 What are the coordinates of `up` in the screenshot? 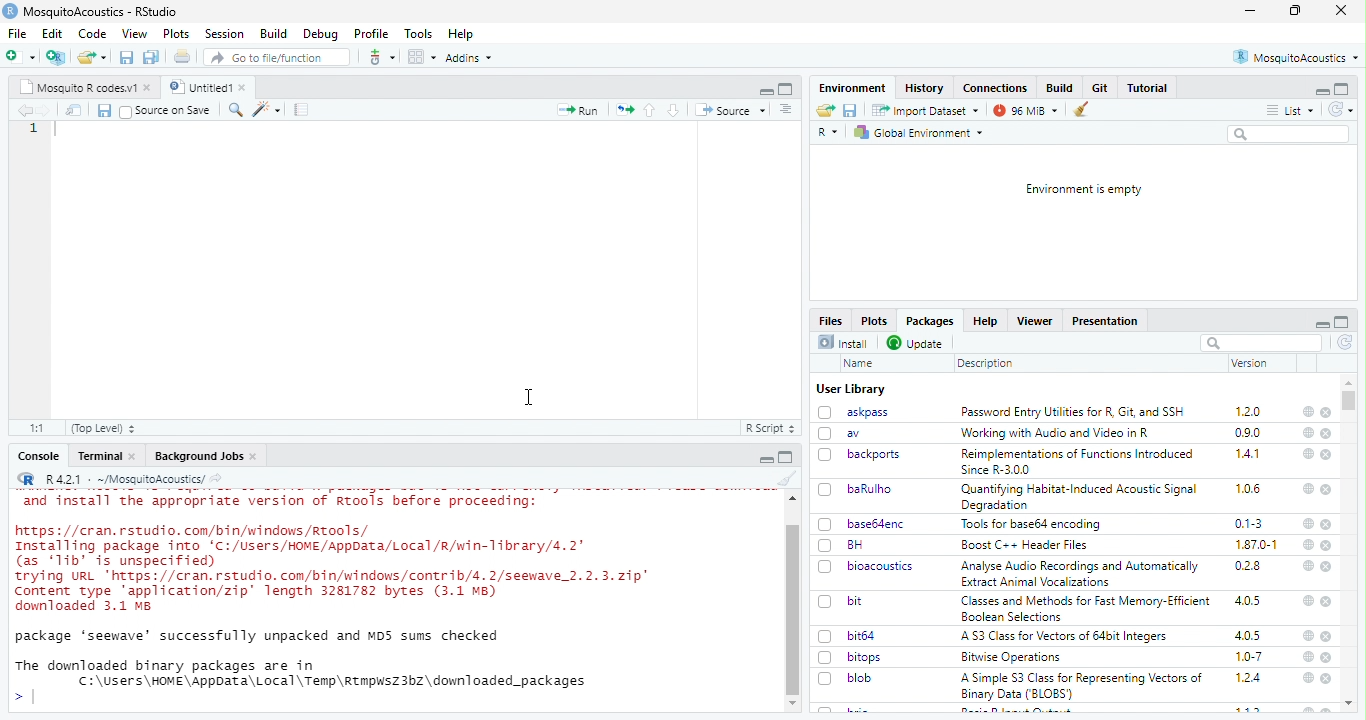 It's located at (651, 110).